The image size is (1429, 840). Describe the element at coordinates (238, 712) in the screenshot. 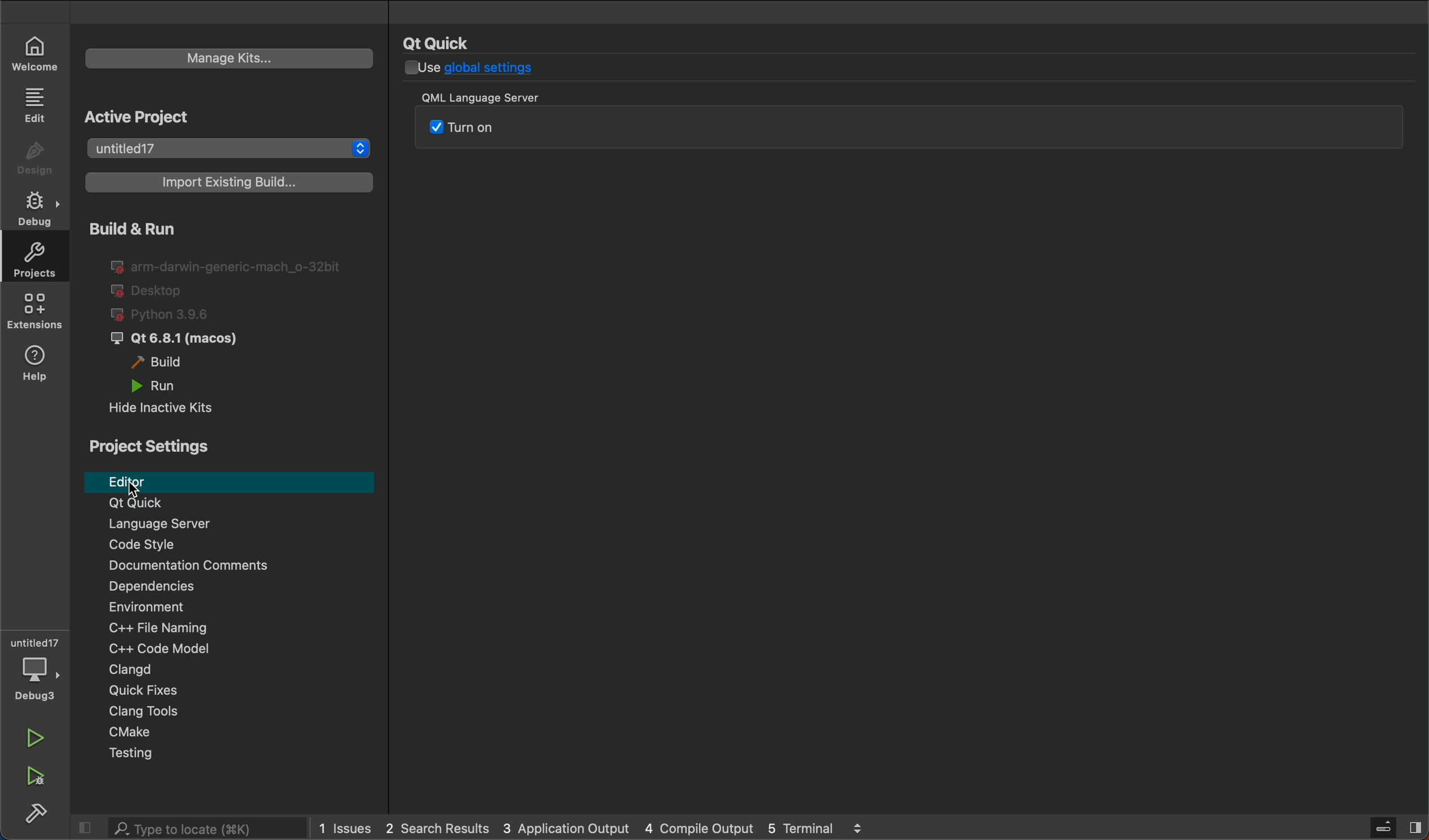

I see `Clang tools` at that location.